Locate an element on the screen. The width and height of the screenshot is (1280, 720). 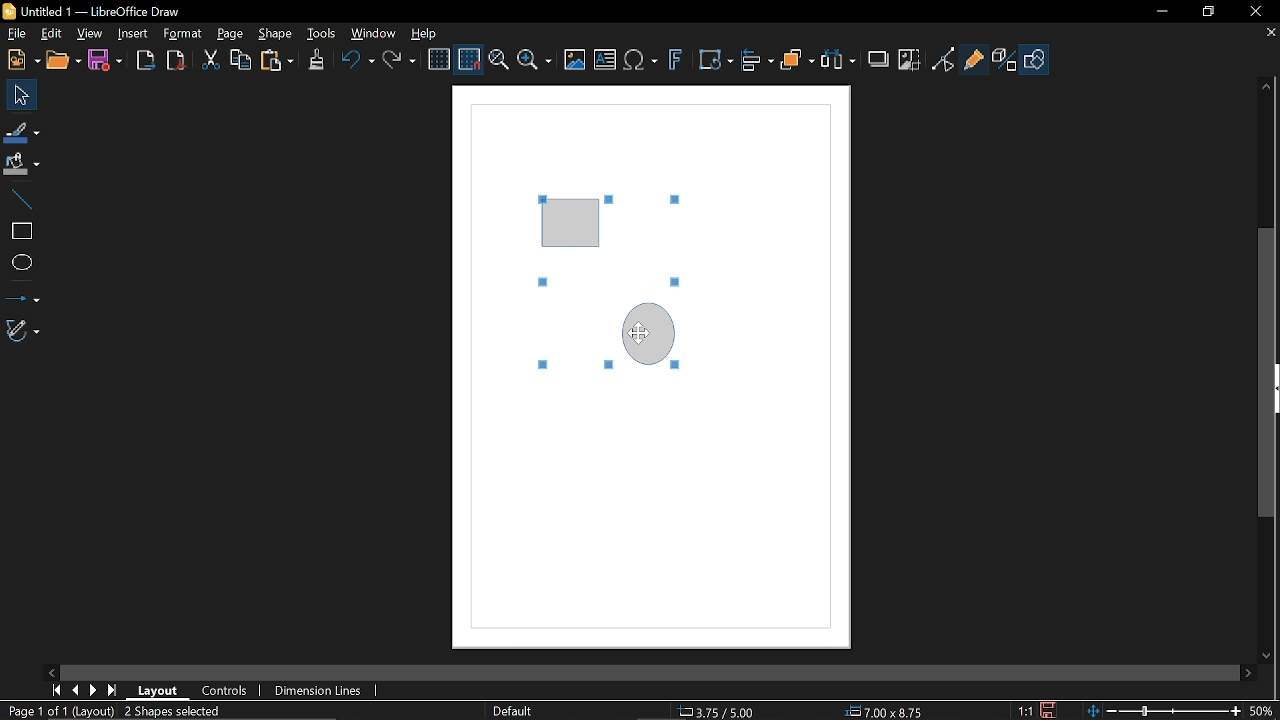
Select at least three object to distribute is located at coordinates (839, 62).